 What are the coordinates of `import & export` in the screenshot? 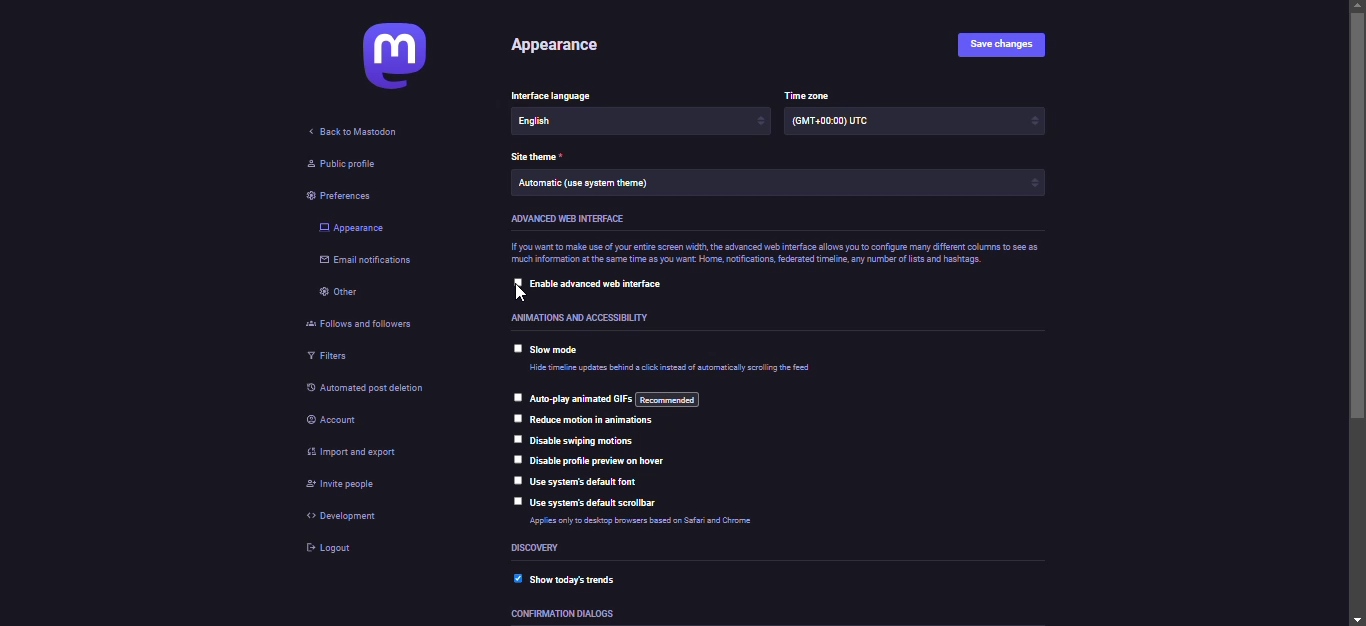 It's located at (347, 455).